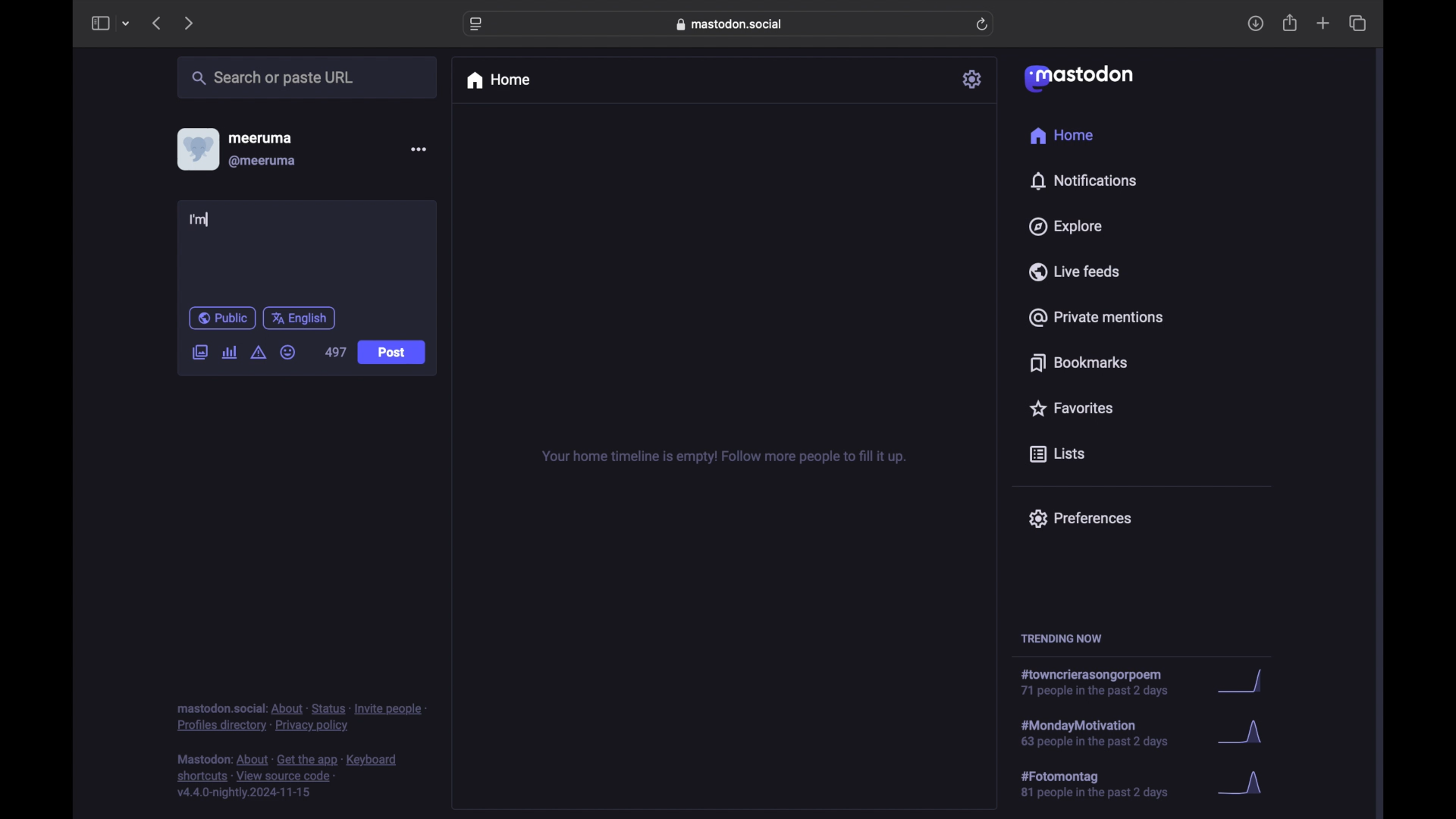  What do you see at coordinates (231, 353) in the screenshot?
I see `add poll` at bounding box center [231, 353].